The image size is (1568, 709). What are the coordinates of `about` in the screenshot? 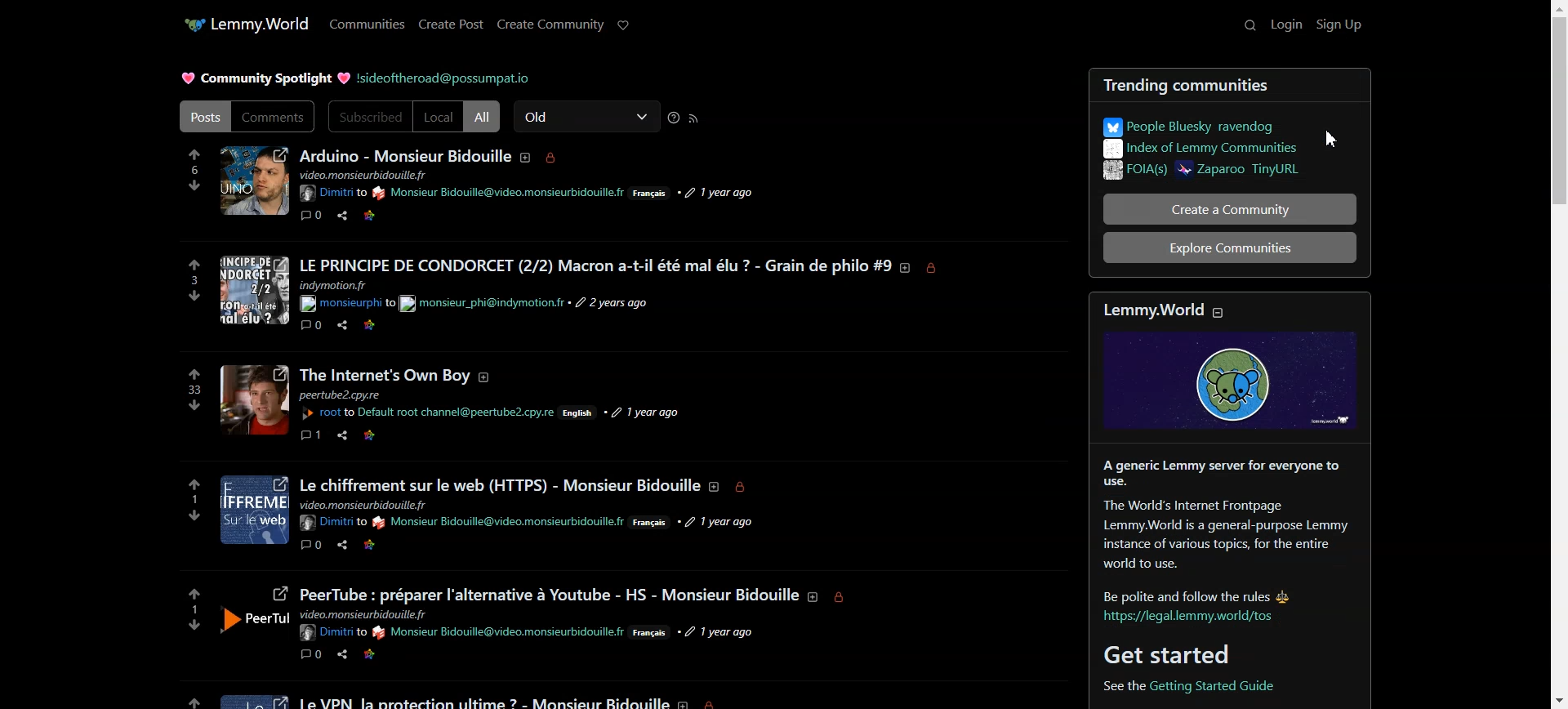 It's located at (686, 702).